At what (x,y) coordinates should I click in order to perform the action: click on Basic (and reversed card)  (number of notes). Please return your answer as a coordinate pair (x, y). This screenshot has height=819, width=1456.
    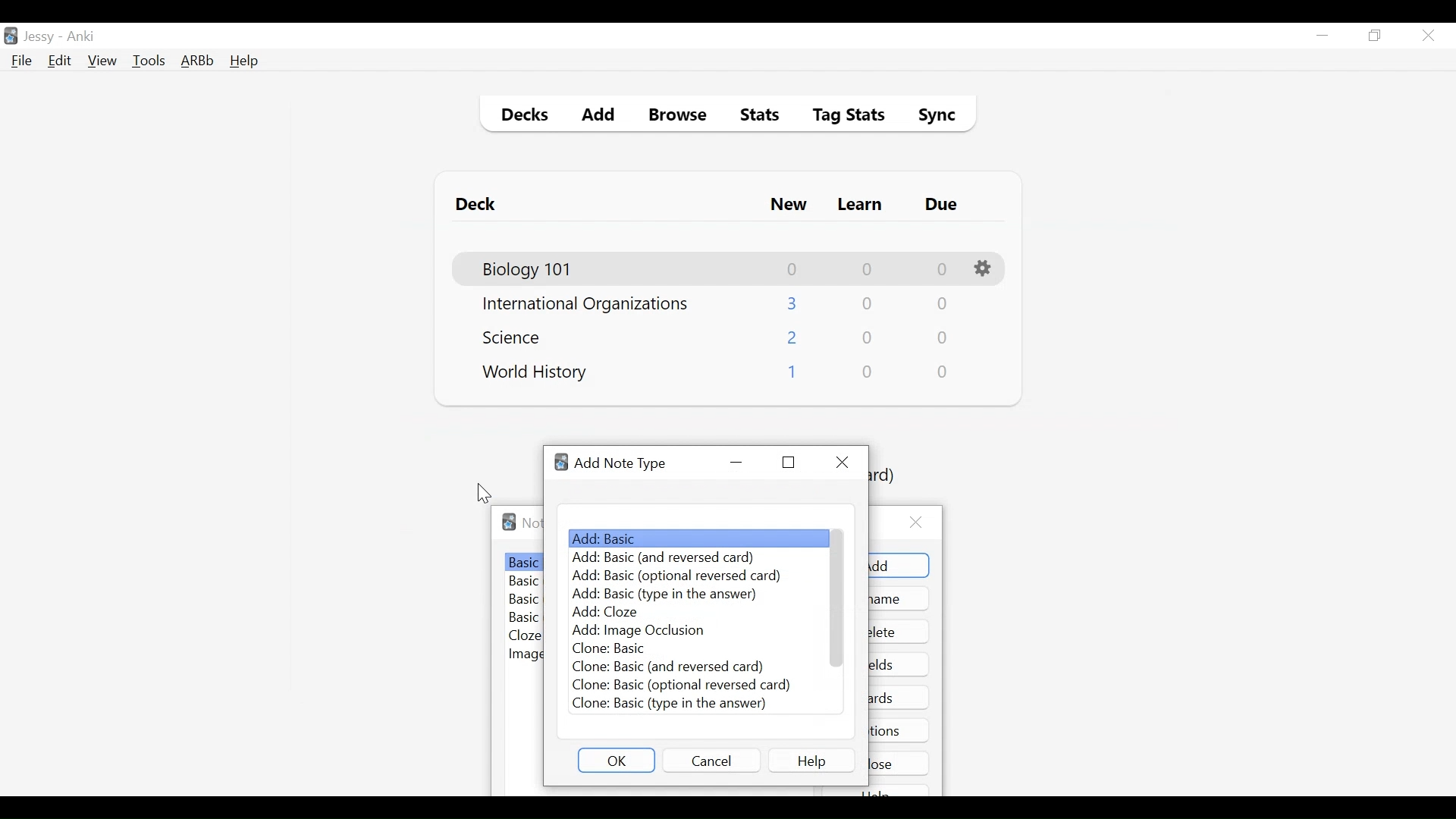
    Looking at the image, I should click on (525, 582).